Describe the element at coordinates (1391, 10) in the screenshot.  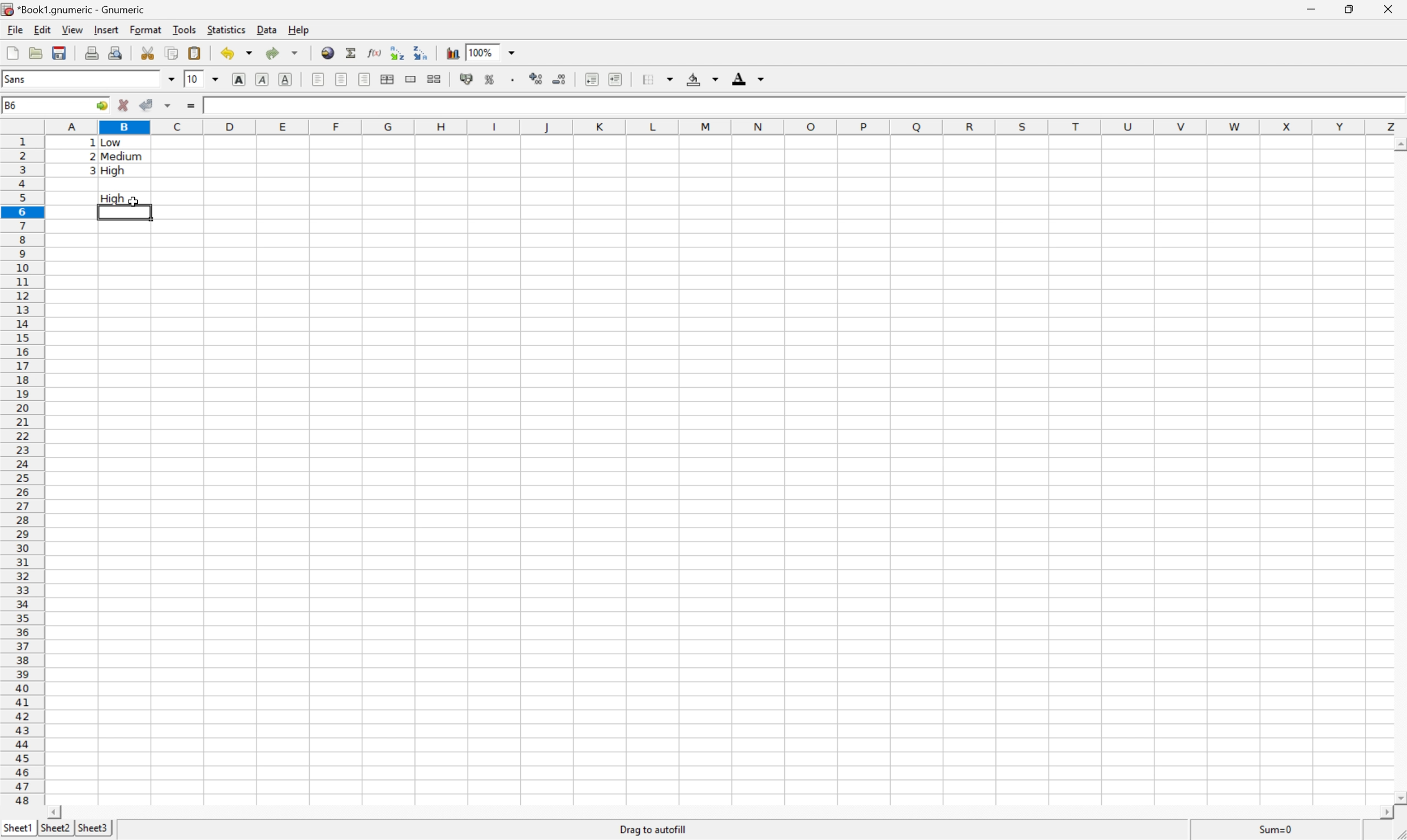
I see `Close` at that location.